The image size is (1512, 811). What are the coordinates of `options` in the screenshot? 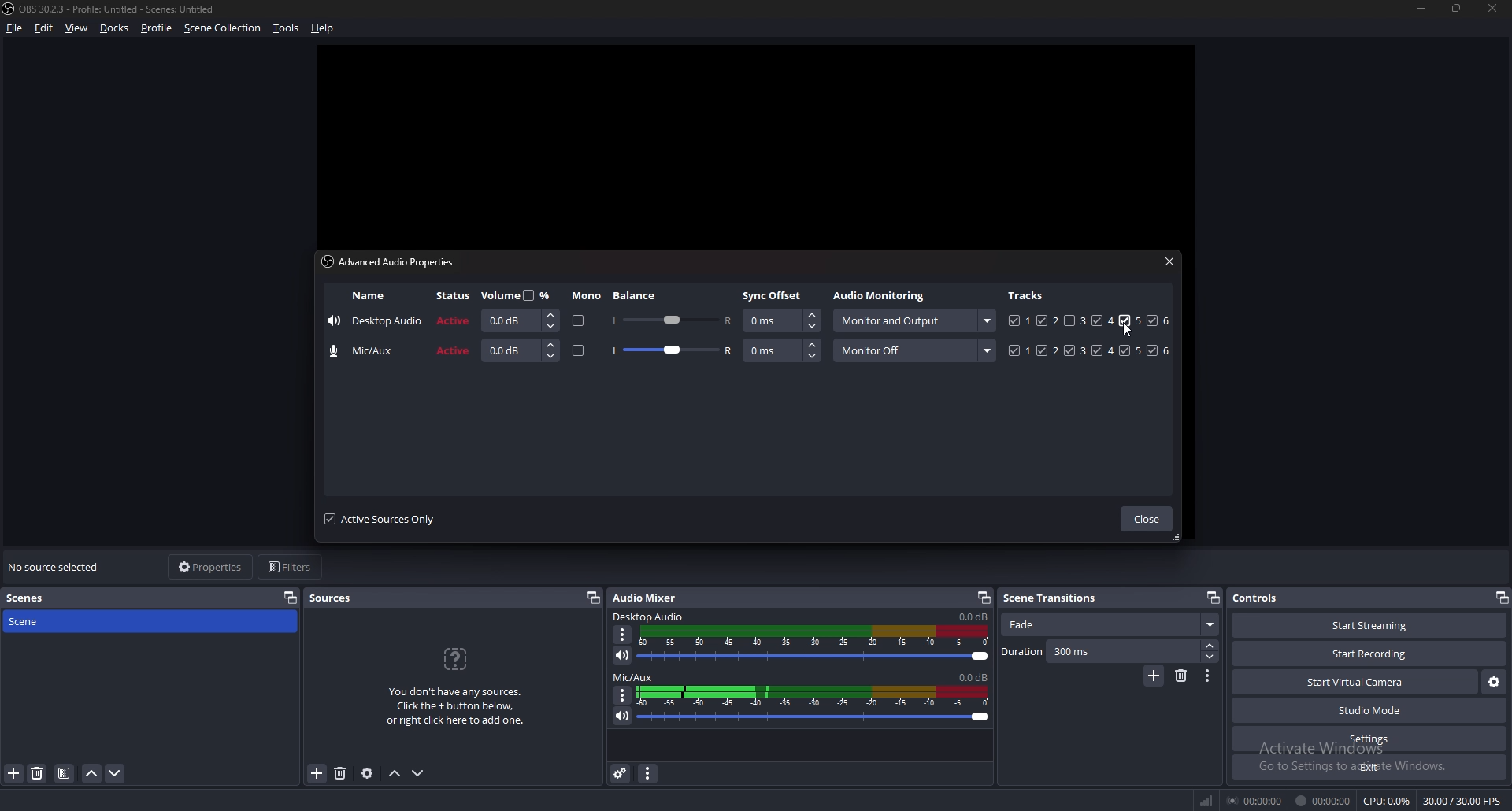 It's located at (624, 635).